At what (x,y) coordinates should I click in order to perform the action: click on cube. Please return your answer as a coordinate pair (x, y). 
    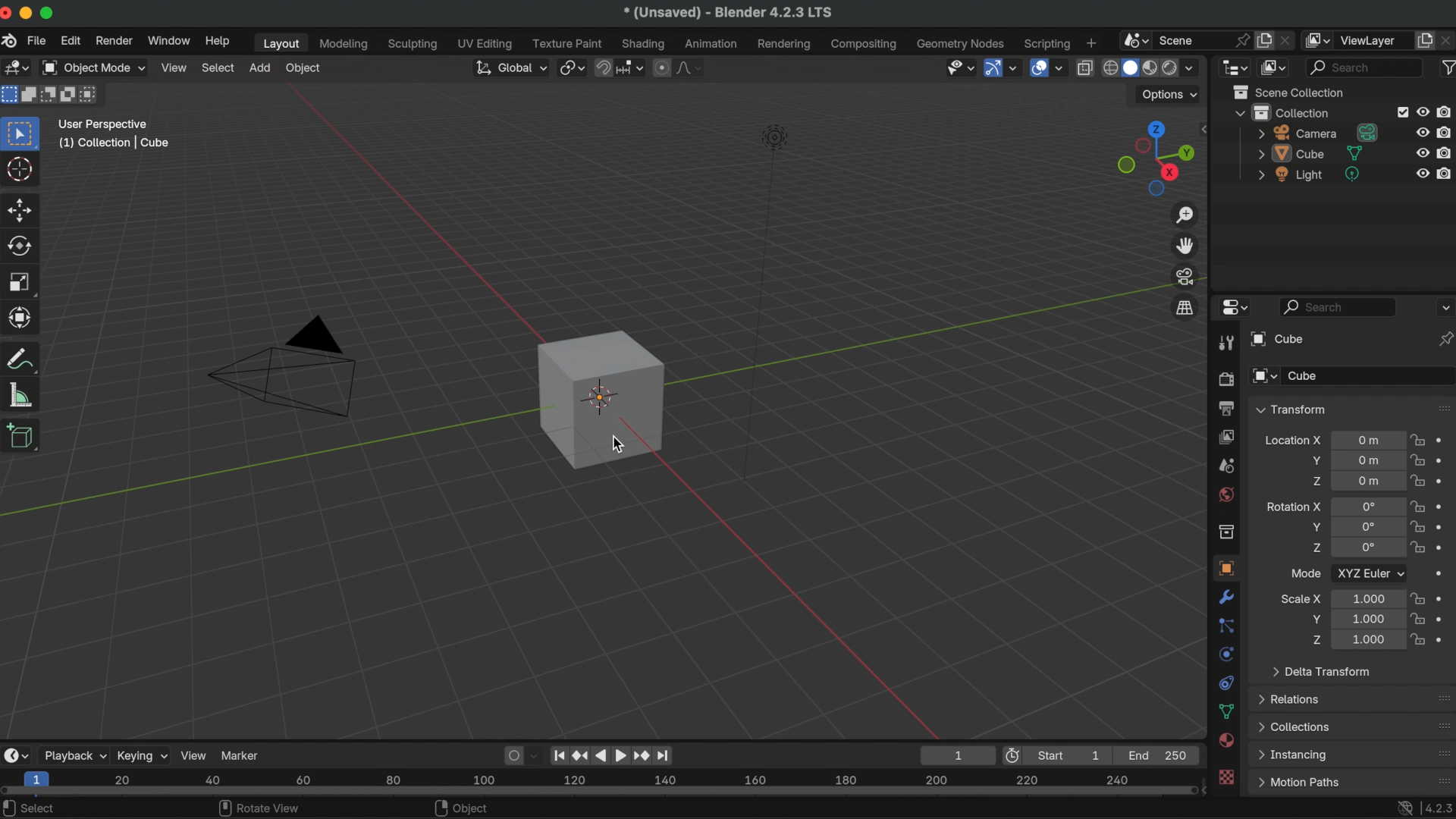
    Looking at the image, I should click on (1275, 339).